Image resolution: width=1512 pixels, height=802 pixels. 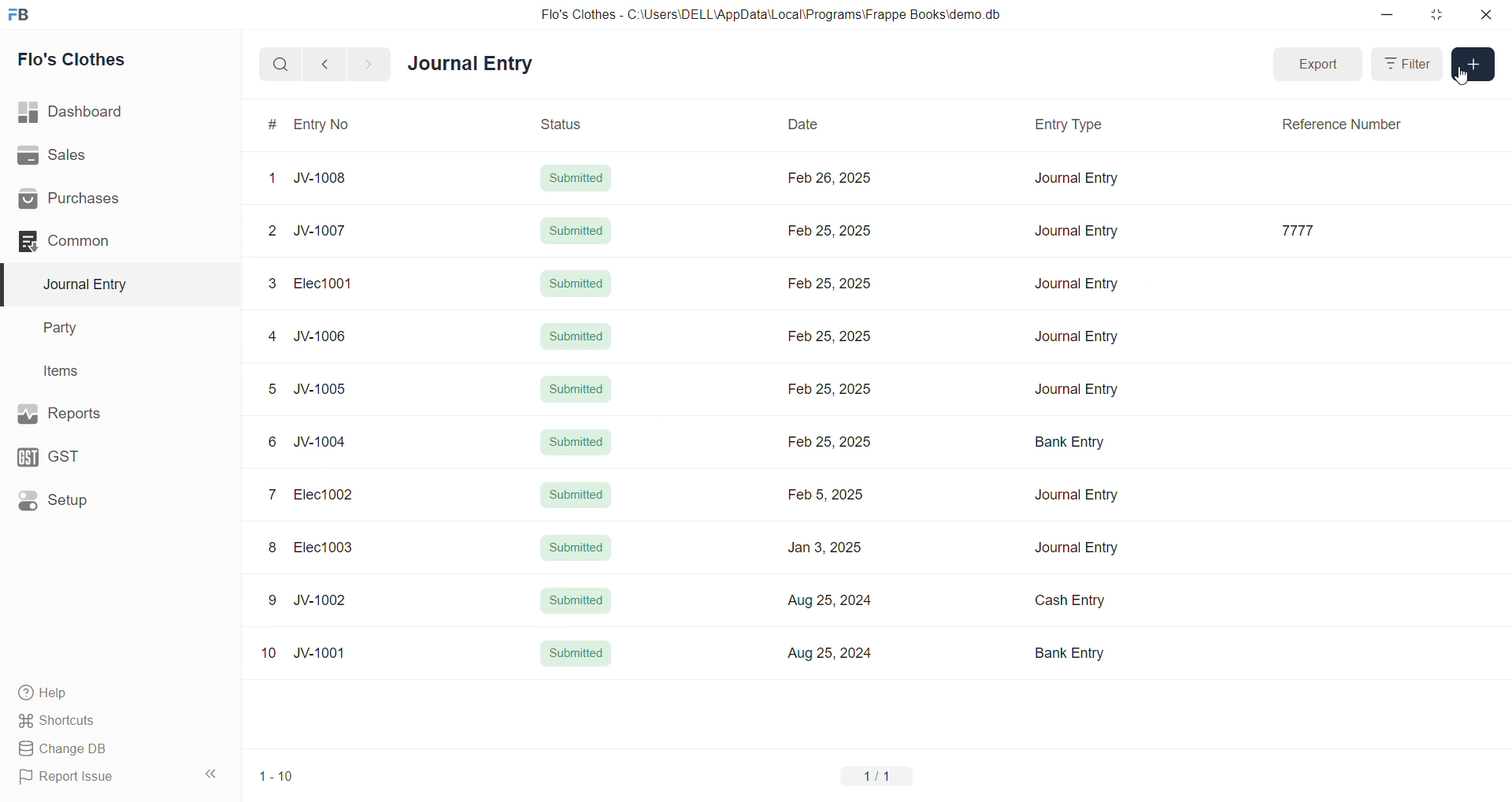 I want to click on JV-1005, so click(x=321, y=389).